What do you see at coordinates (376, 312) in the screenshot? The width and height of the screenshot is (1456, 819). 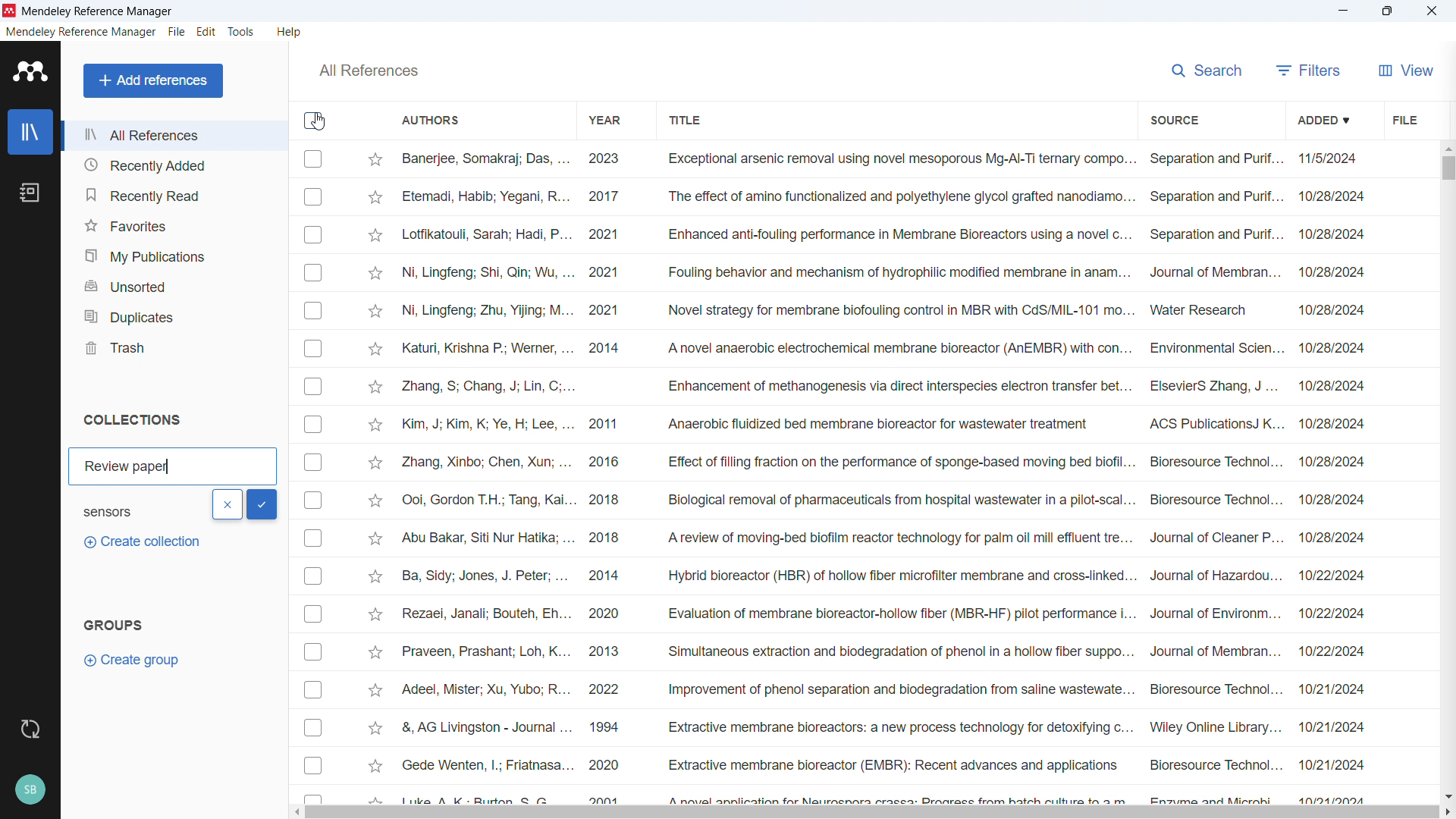 I see `Star mark respective publication` at bounding box center [376, 312].